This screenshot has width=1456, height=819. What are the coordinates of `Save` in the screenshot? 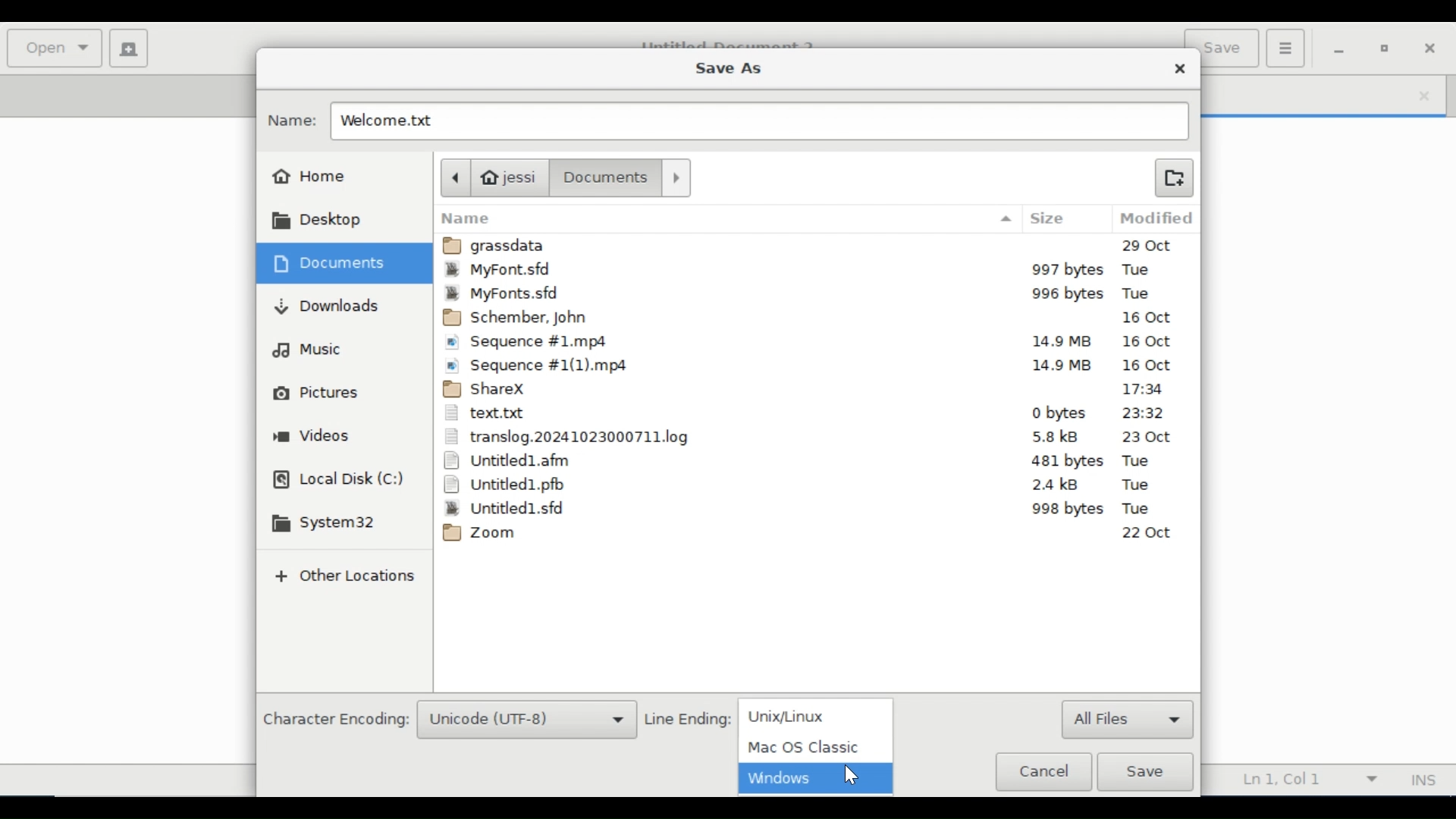 It's located at (1145, 772).